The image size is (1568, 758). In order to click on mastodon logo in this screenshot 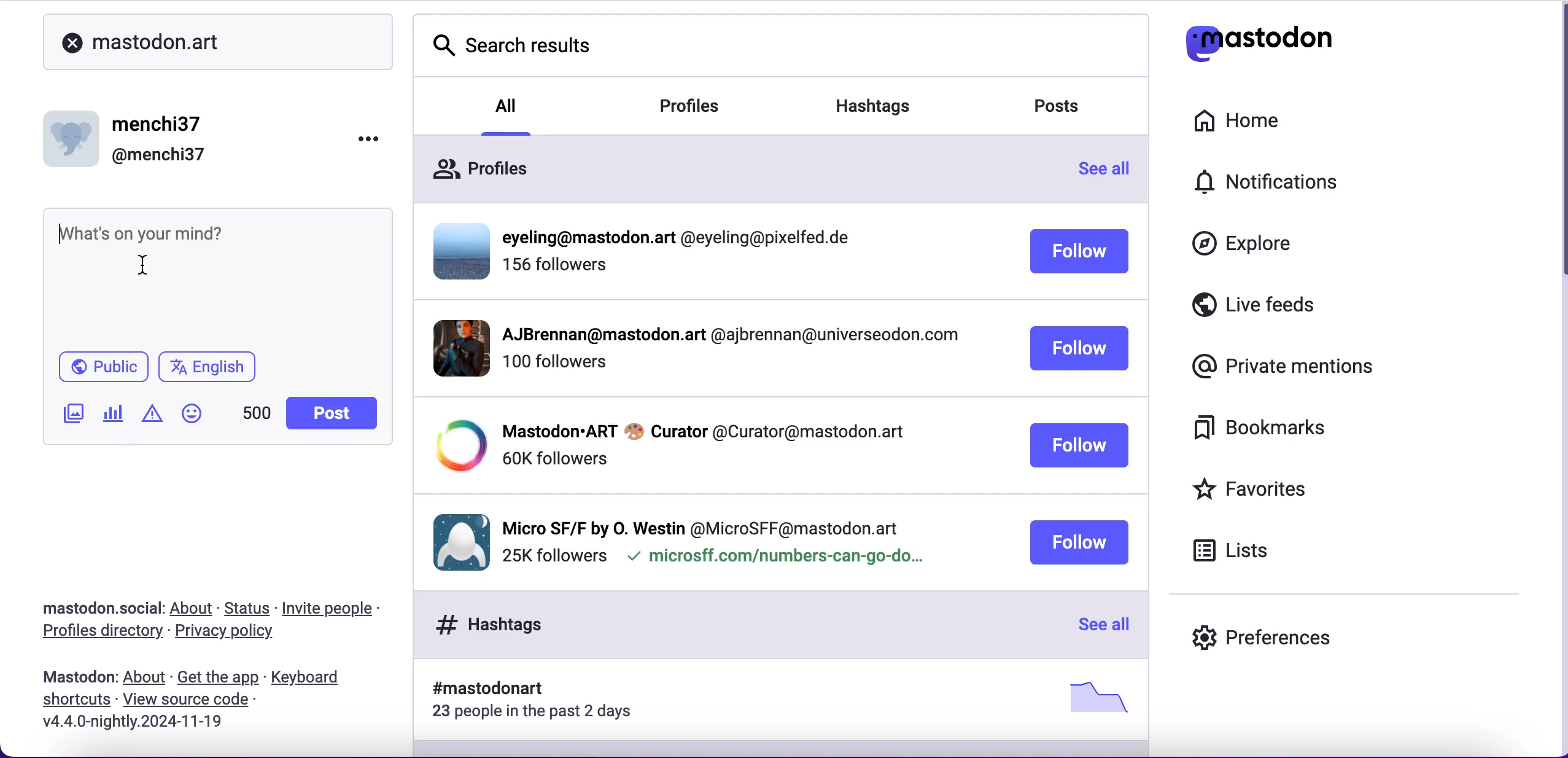, I will do `click(1282, 44)`.